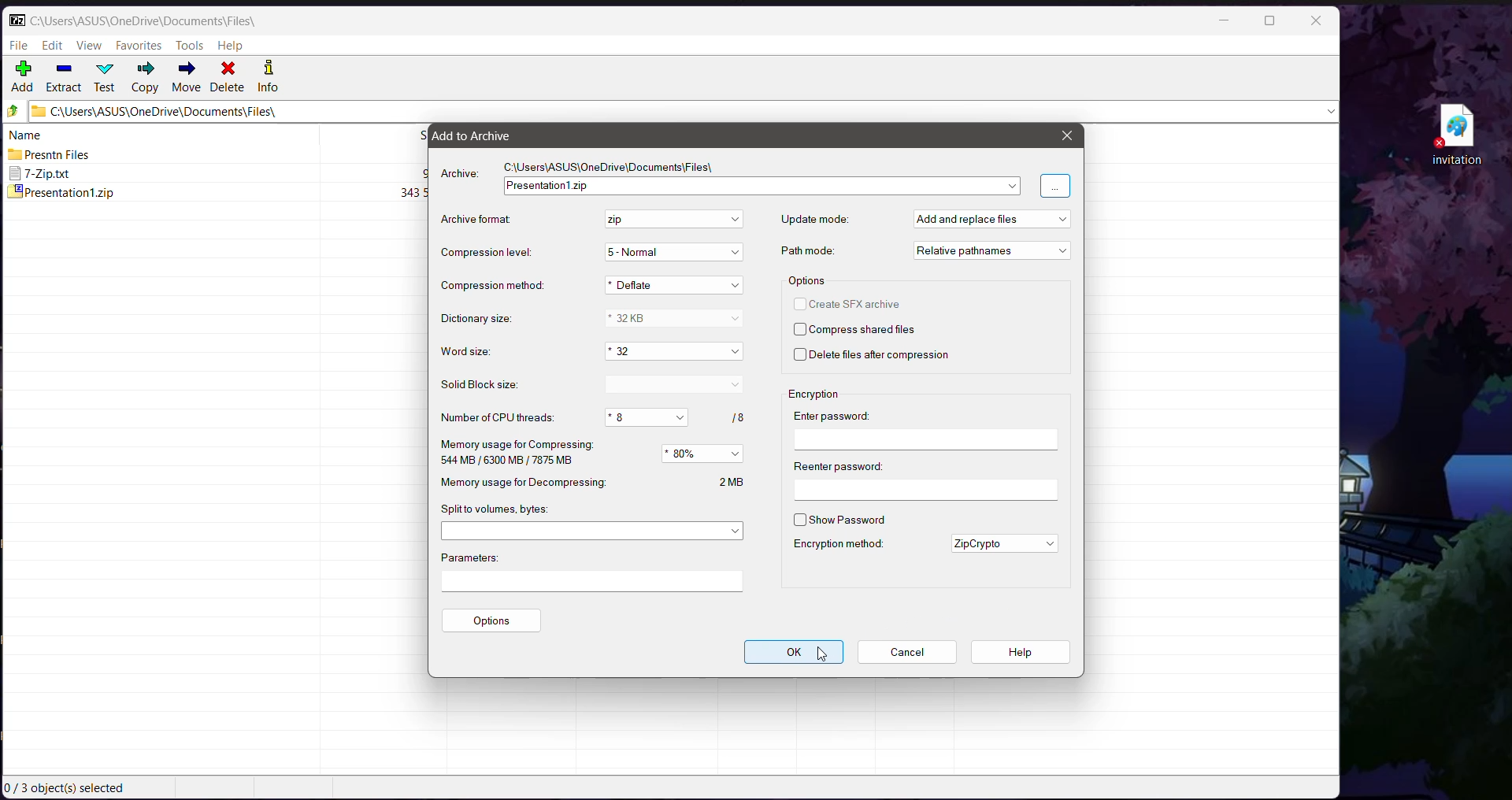  I want to click on Set the Split to volumes, in bytes, so click(593, 530).